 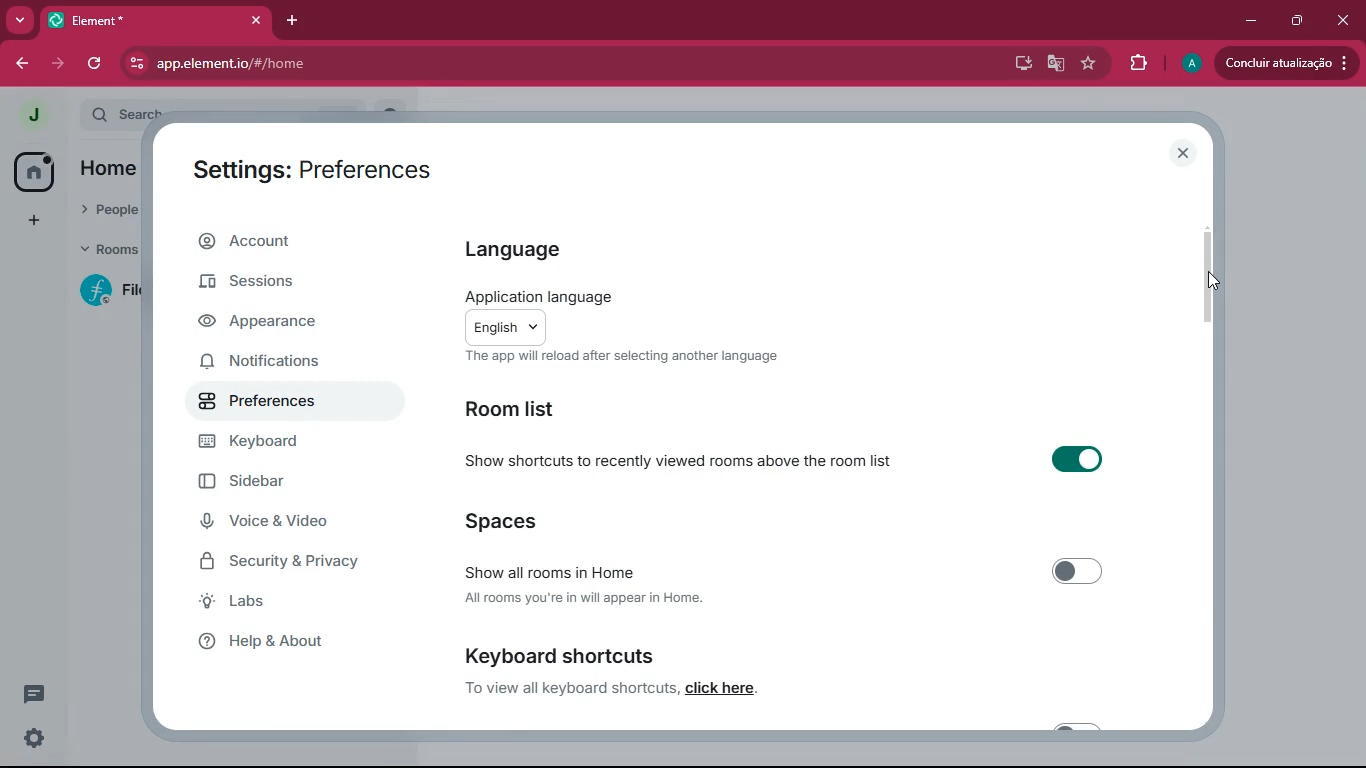 What do you see at coordinates (18, 61) in the screenshot?
I see `back` at bounding box center [18, 61].